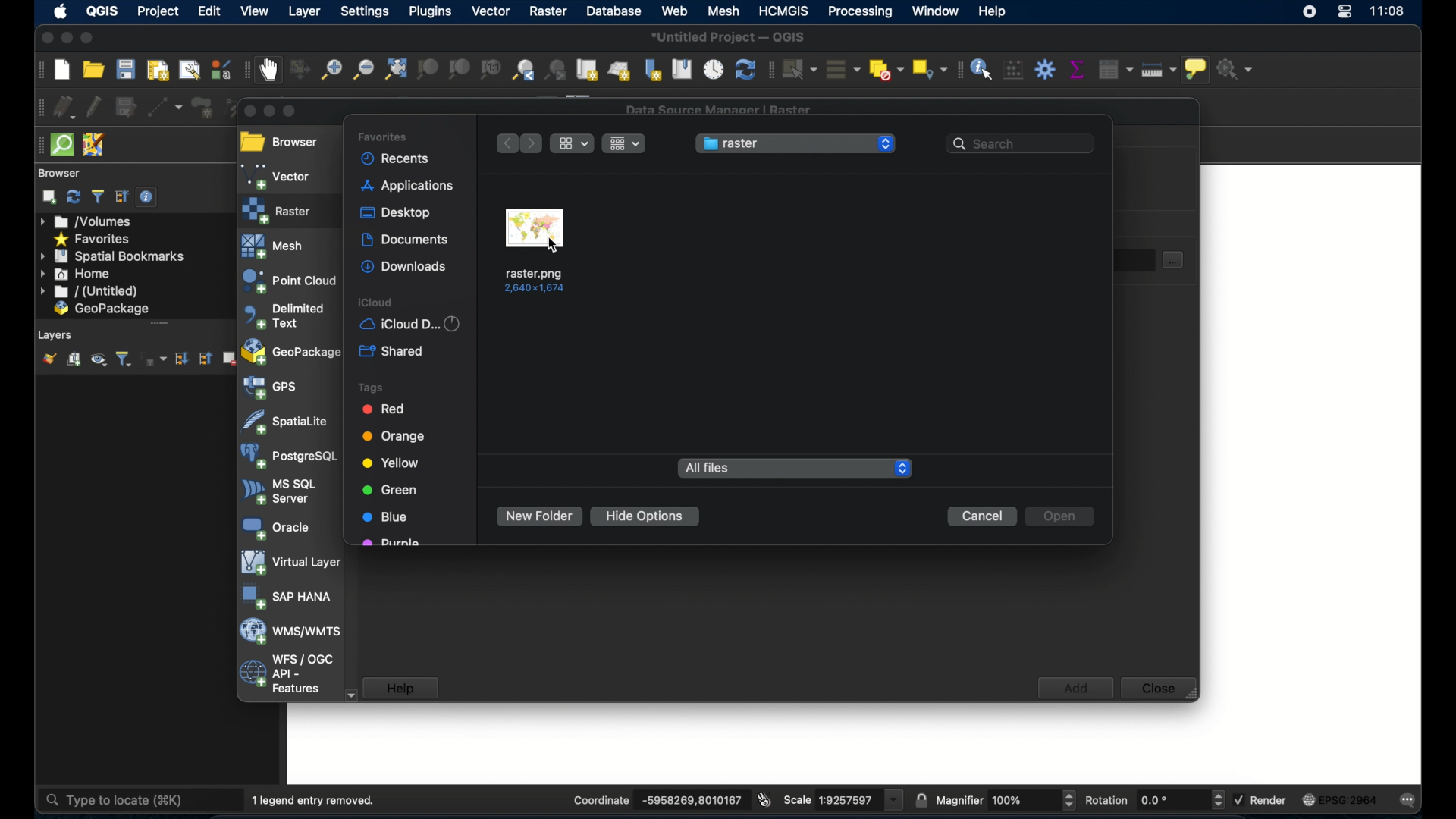 The width and height of the screenshot is (1456, 819). What do you see at coordinates (385, 407) in the screenshot?
I see `red` at bounding box center [385, 407].